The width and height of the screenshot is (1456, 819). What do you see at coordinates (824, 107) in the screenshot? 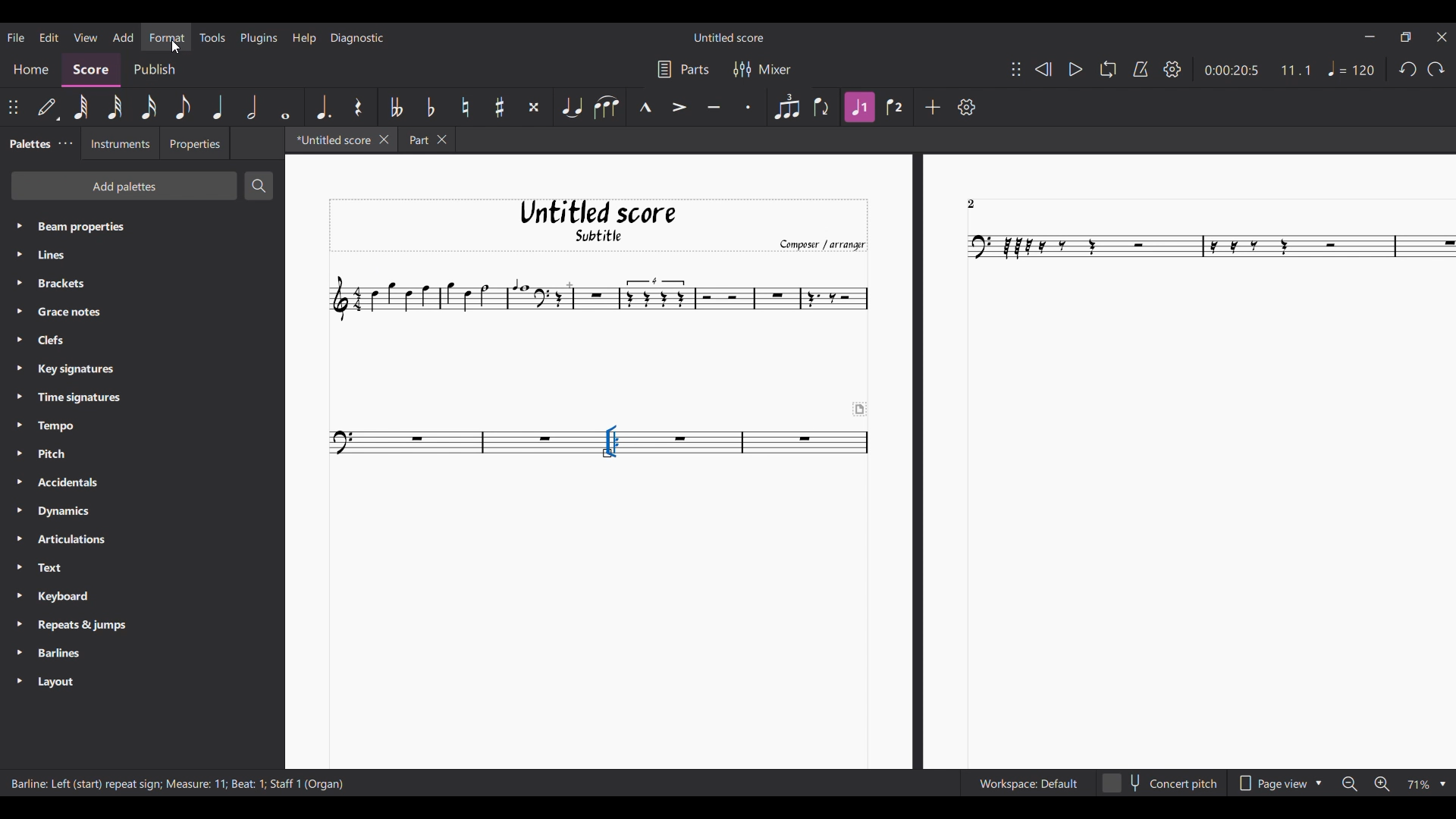
I see `Flip direction` at bounding box center [824, 107].